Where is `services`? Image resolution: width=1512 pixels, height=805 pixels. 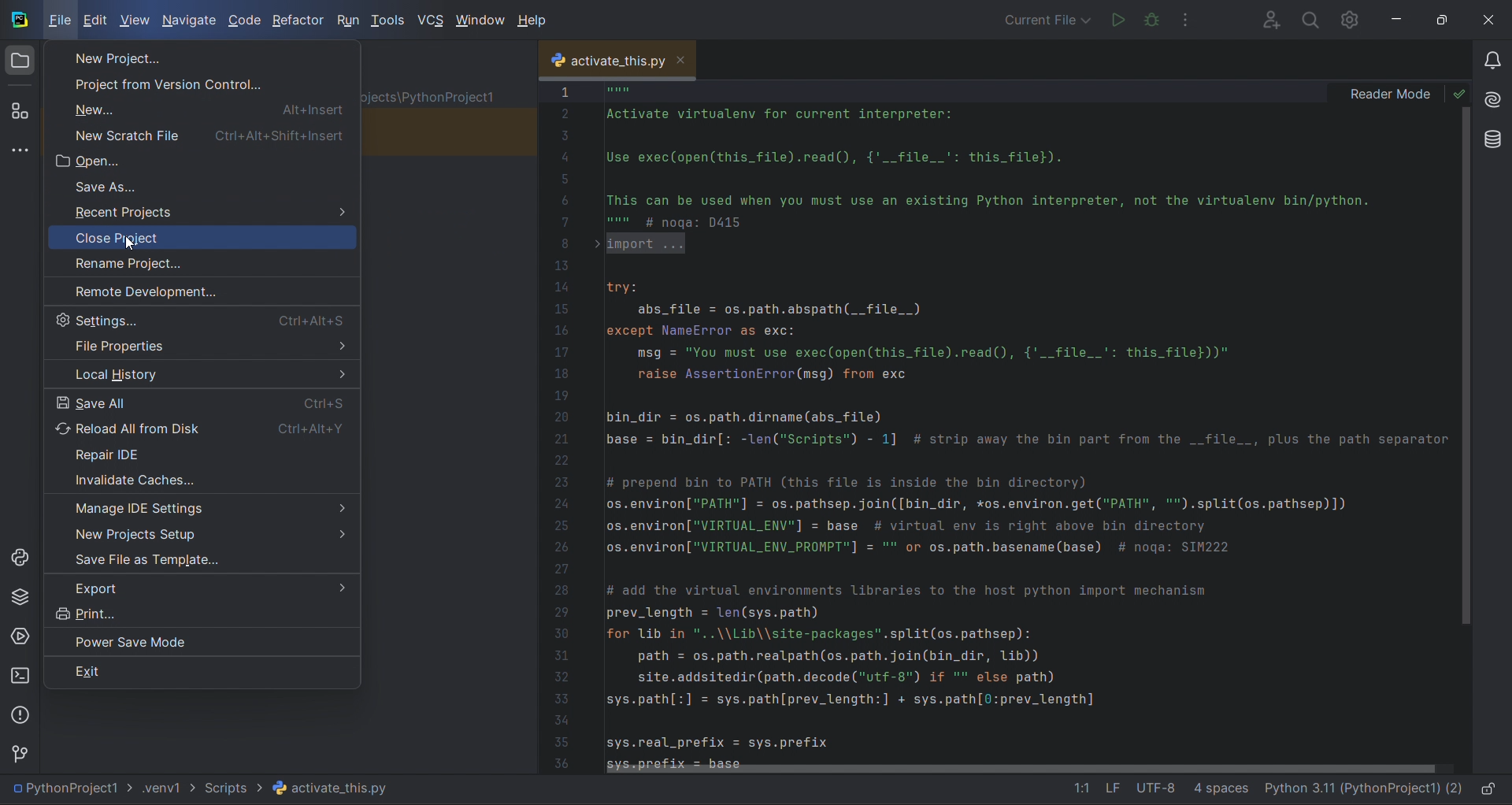
services is located at coordinates (18, 636).